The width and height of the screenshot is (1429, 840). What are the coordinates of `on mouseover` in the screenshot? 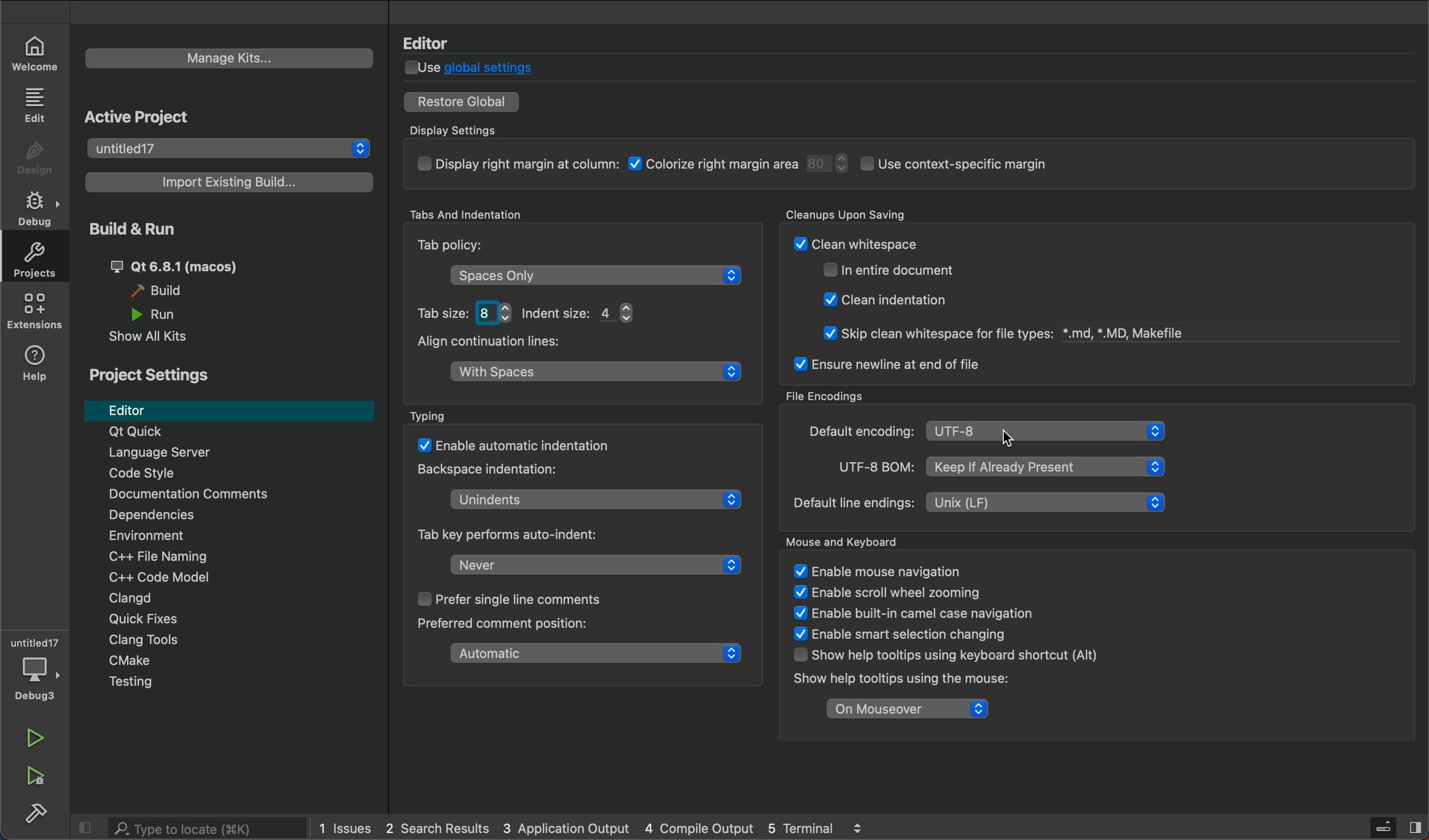 It's located at (897, 711).